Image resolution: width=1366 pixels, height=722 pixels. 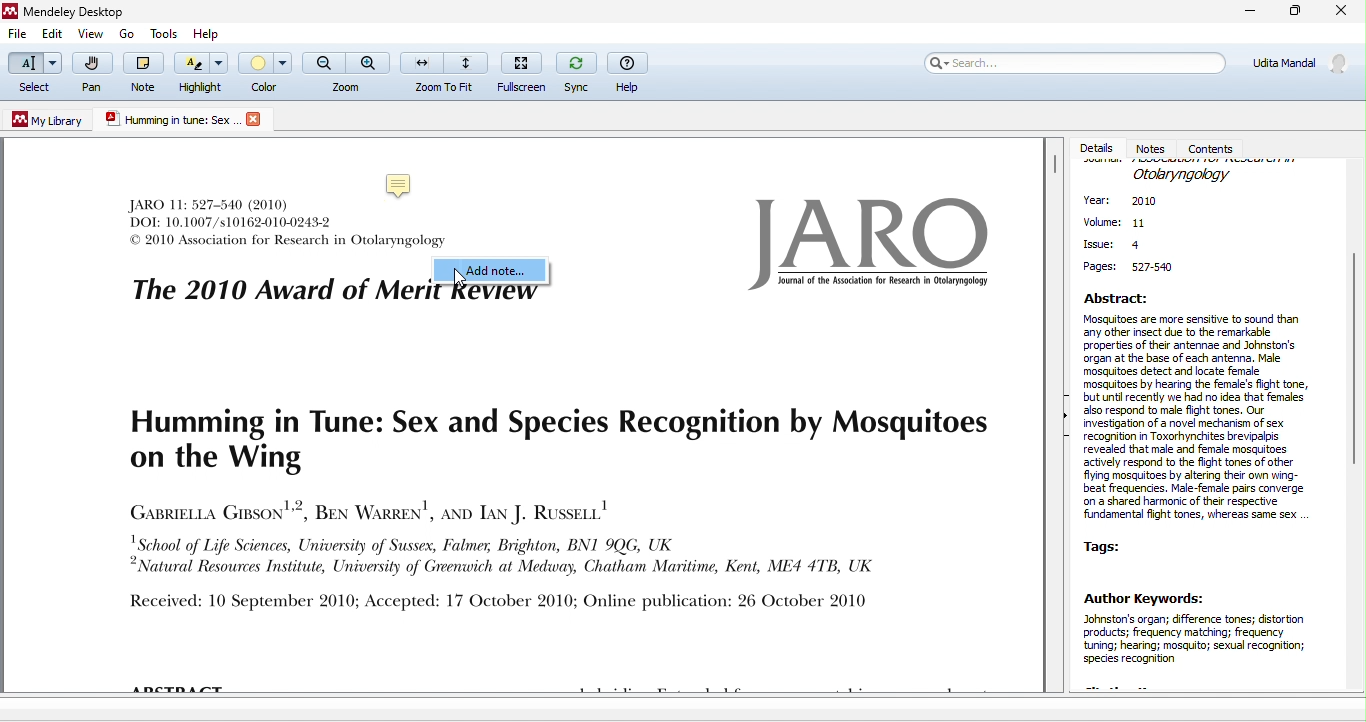 I want to click on minimize, so click(x=1243, y=13).